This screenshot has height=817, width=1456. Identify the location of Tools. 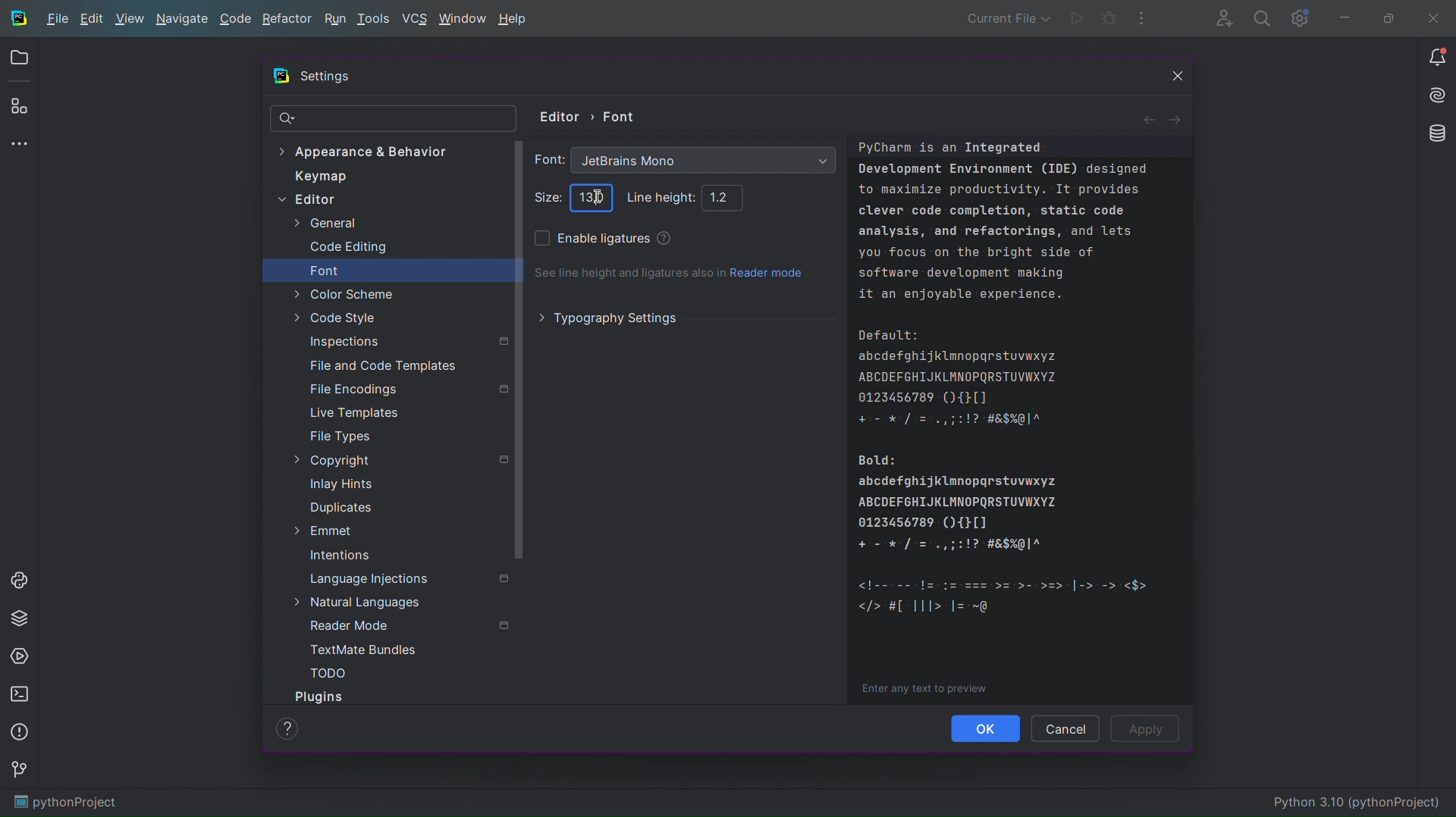
(375, 20).